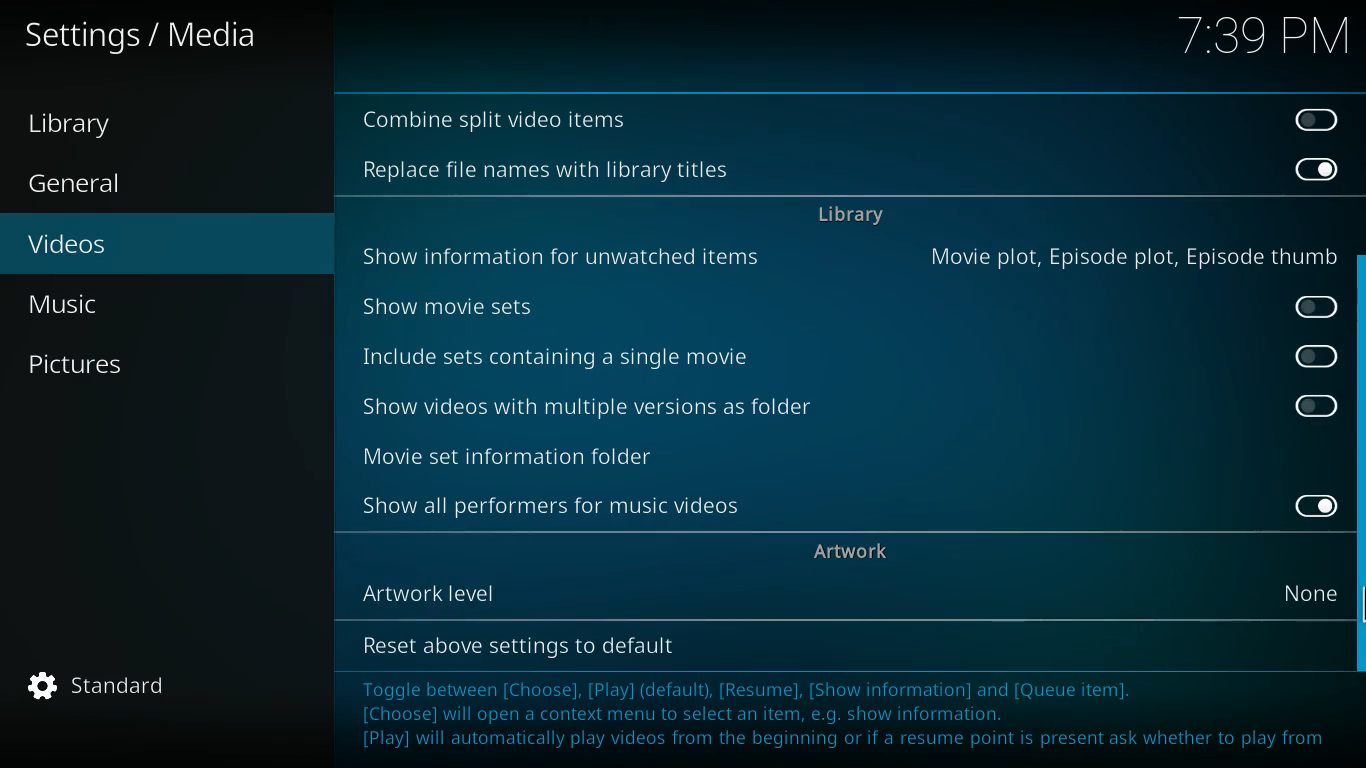 The image size is (1366, 768). What do you see at coordinates (146, 36) in the screenshot?
I see `Settings/Media` at bounding box center [146, 36].